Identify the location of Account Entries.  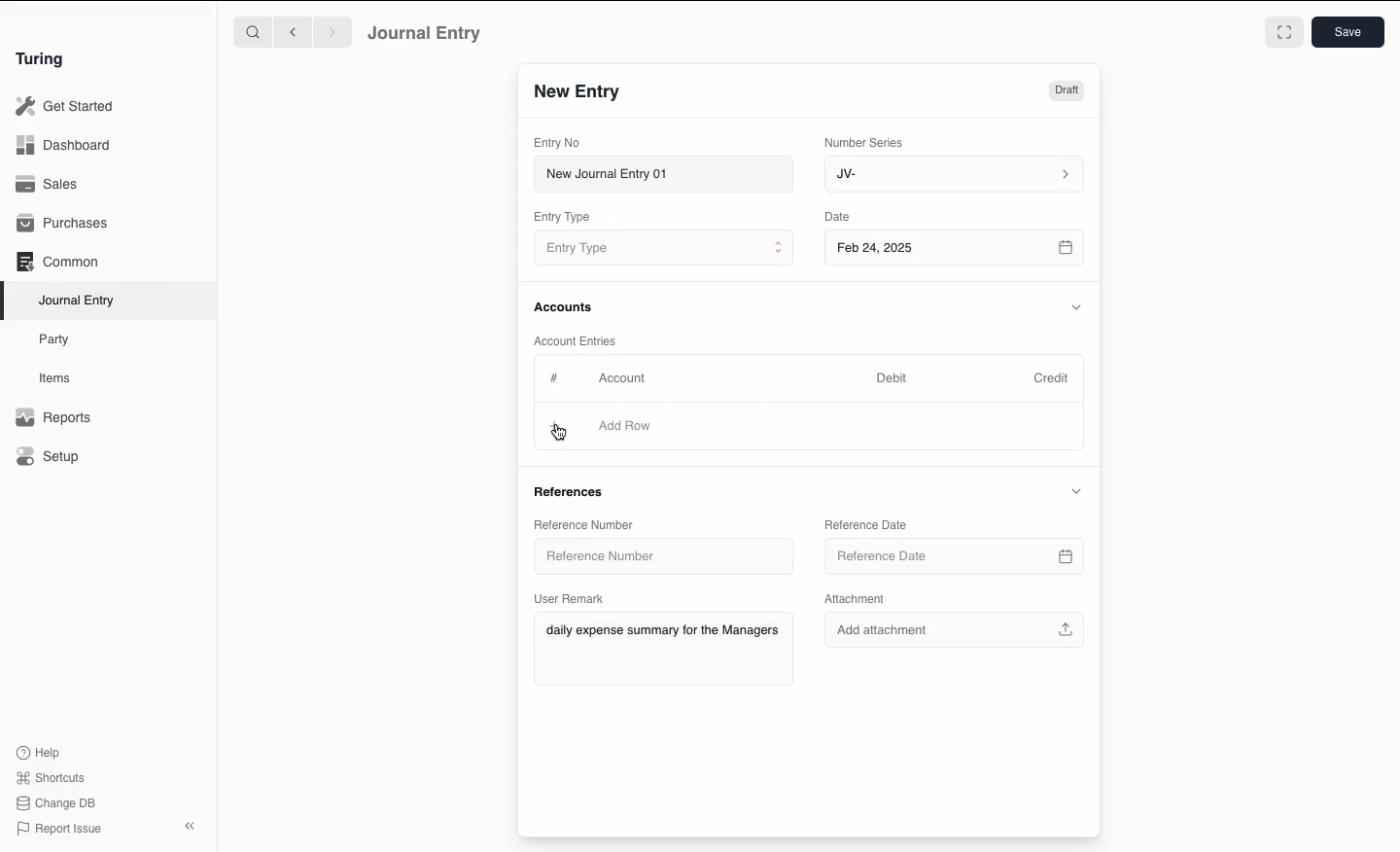
(578, 340).